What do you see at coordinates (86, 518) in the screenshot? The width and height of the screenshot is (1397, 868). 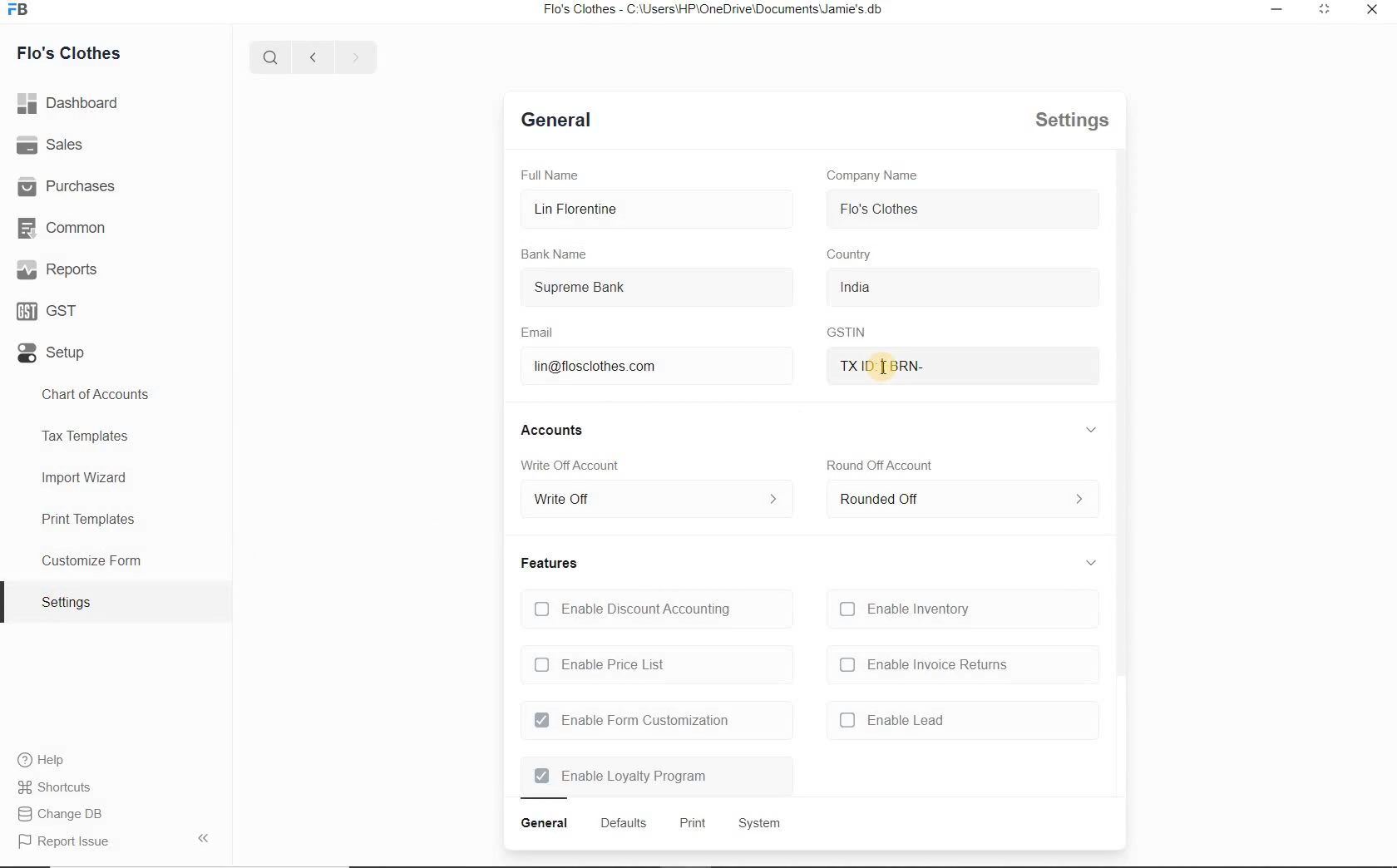 I see `Print Templates` at bounding box center [86, 518].